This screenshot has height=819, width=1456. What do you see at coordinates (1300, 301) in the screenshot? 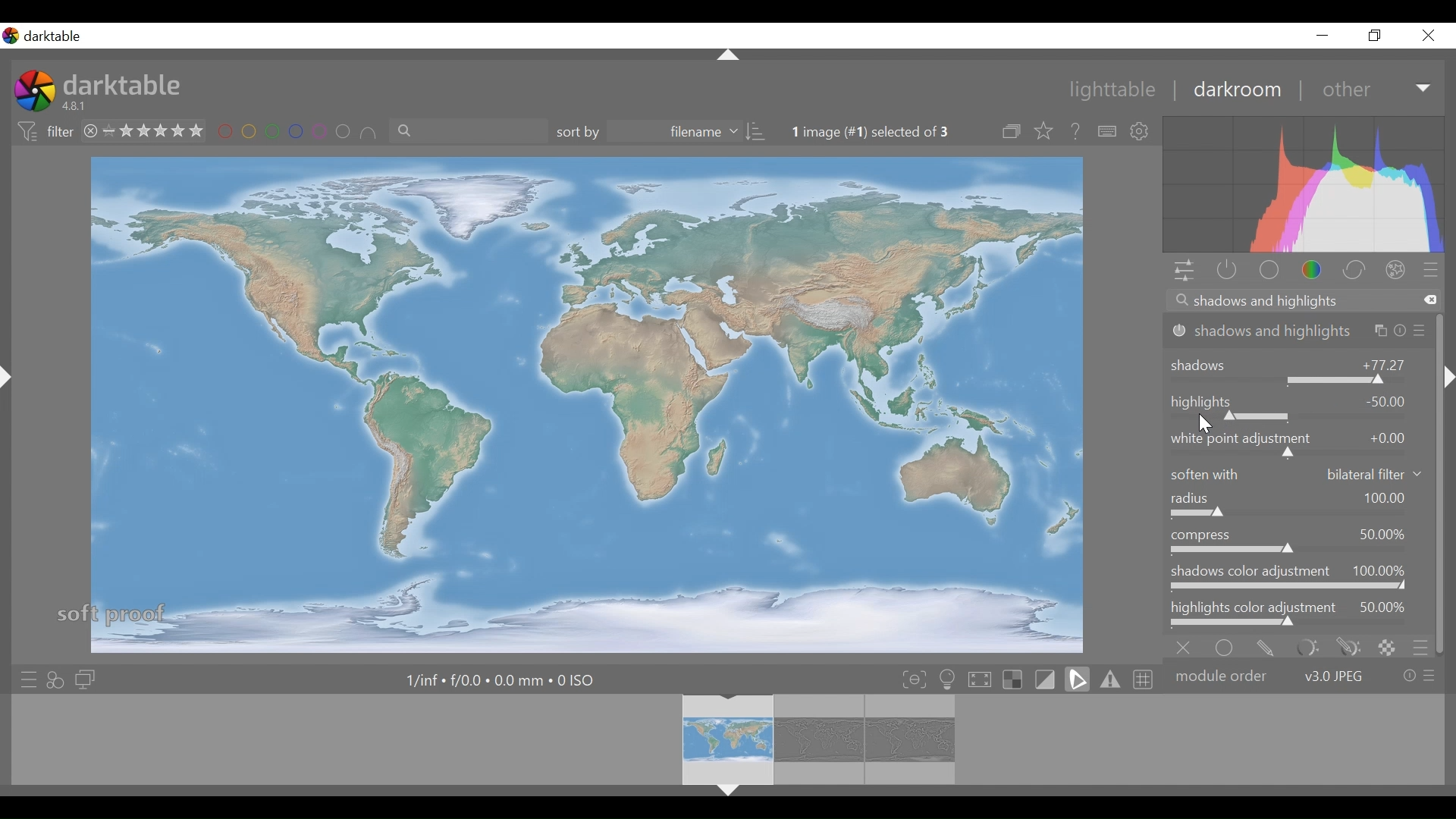
I see `search modules by name or tag` at bounding box center [1300, 301].